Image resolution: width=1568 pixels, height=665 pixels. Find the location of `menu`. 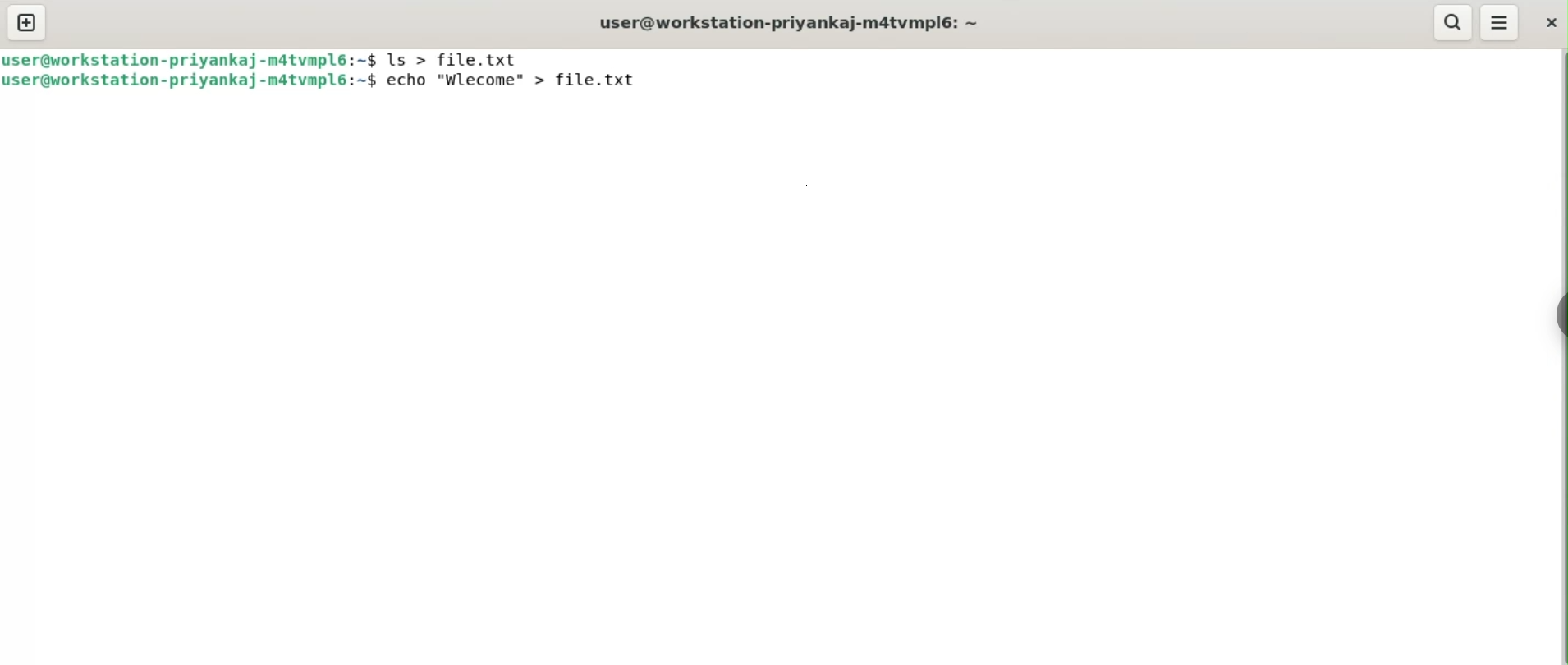

menu is located at coordinates (1500, 23).